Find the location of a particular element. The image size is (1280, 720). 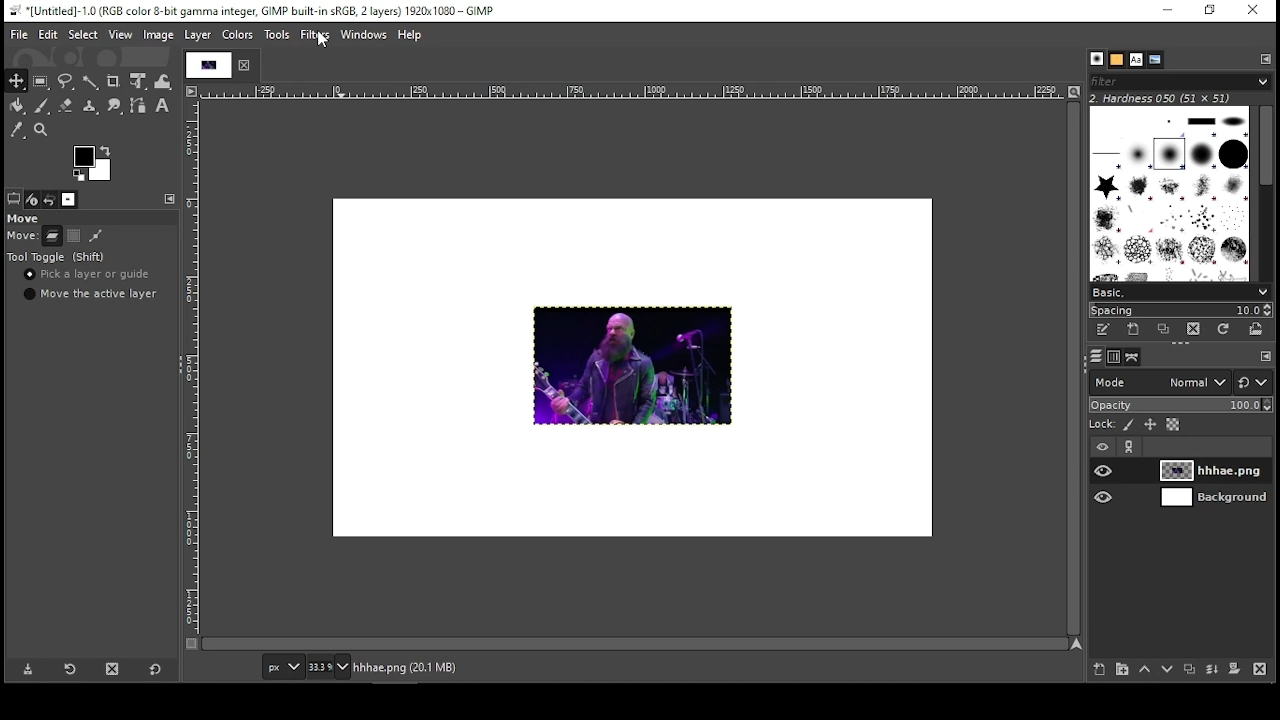

mode is located at coordinates (1158, 384).